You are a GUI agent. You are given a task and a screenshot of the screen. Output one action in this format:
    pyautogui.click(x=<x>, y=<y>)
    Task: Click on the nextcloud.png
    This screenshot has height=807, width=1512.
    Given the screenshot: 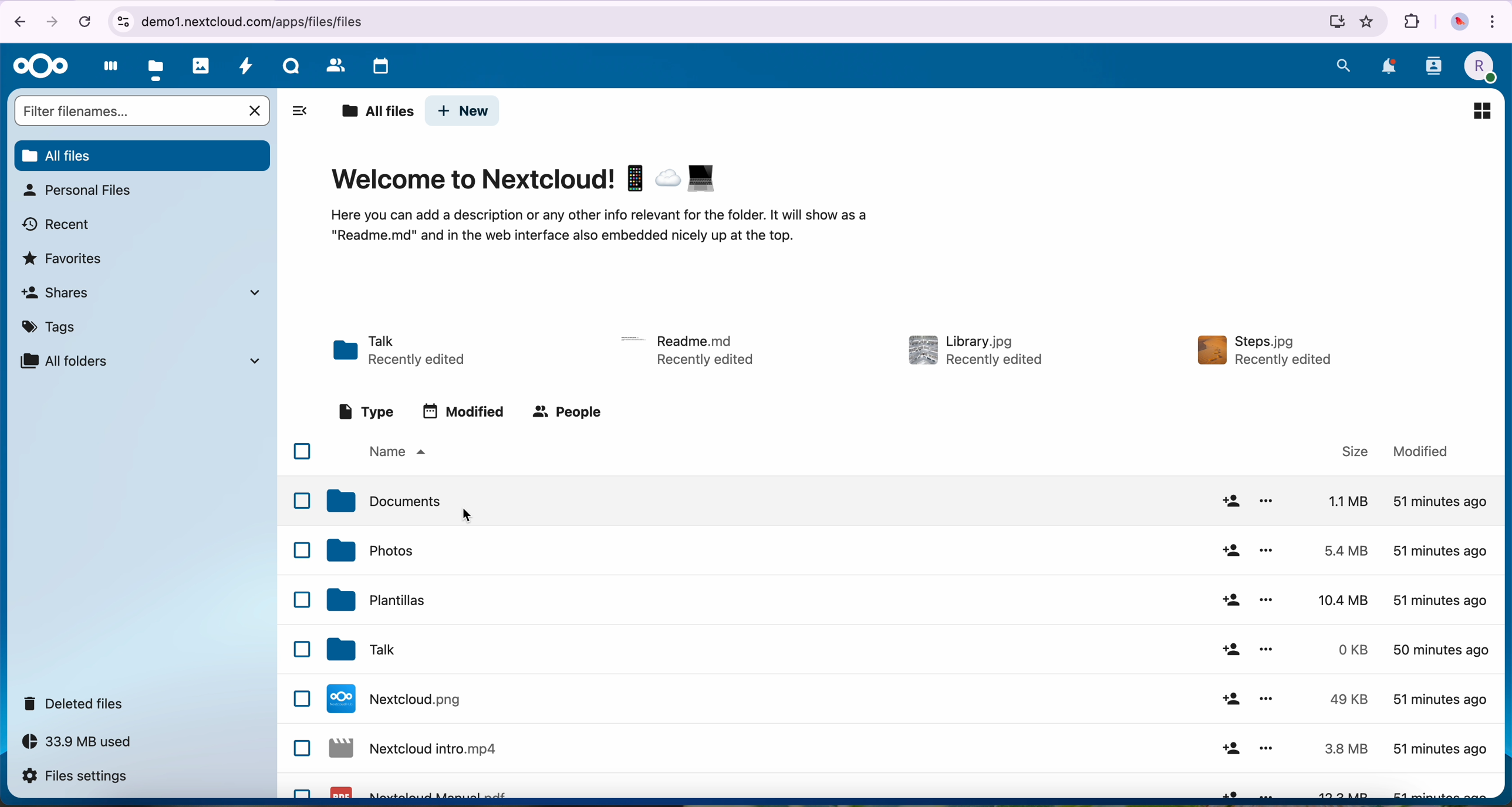 What is the action you would take?
    pyautogui.click(x=394, y=697)
    